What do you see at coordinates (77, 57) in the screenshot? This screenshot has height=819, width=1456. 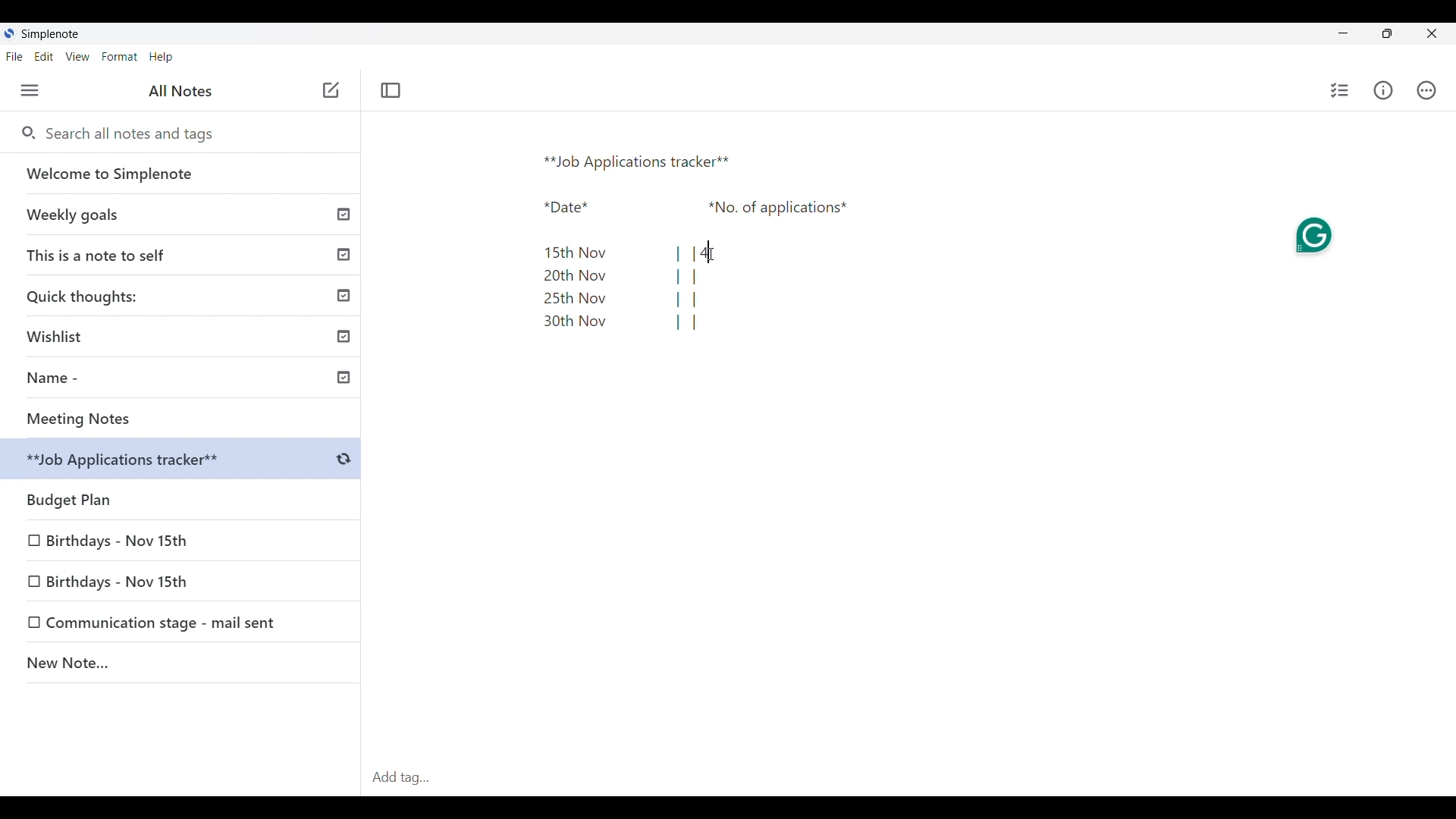 I see `View` at bounding box center [77, 57].